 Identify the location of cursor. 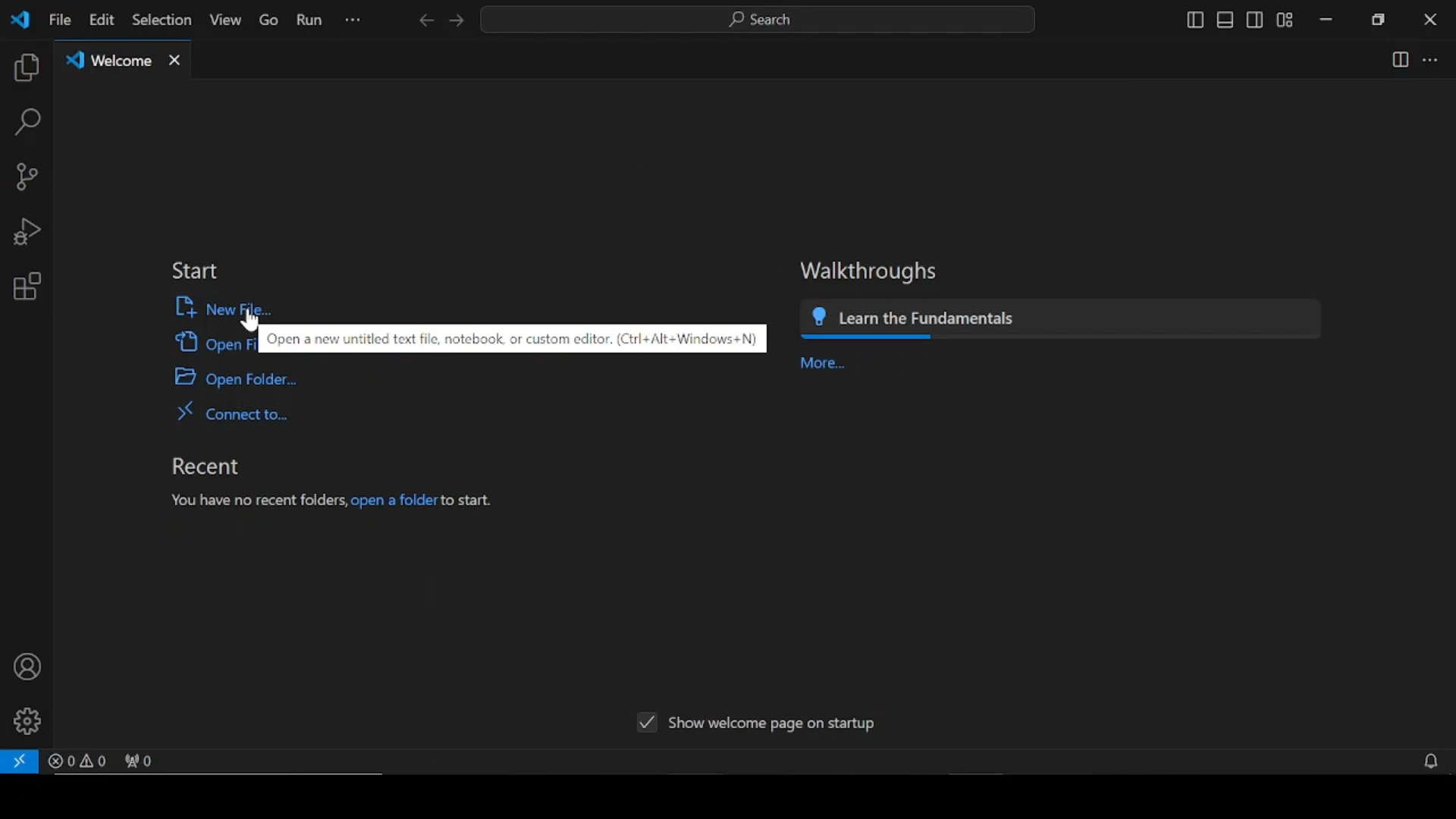
(253, 320).